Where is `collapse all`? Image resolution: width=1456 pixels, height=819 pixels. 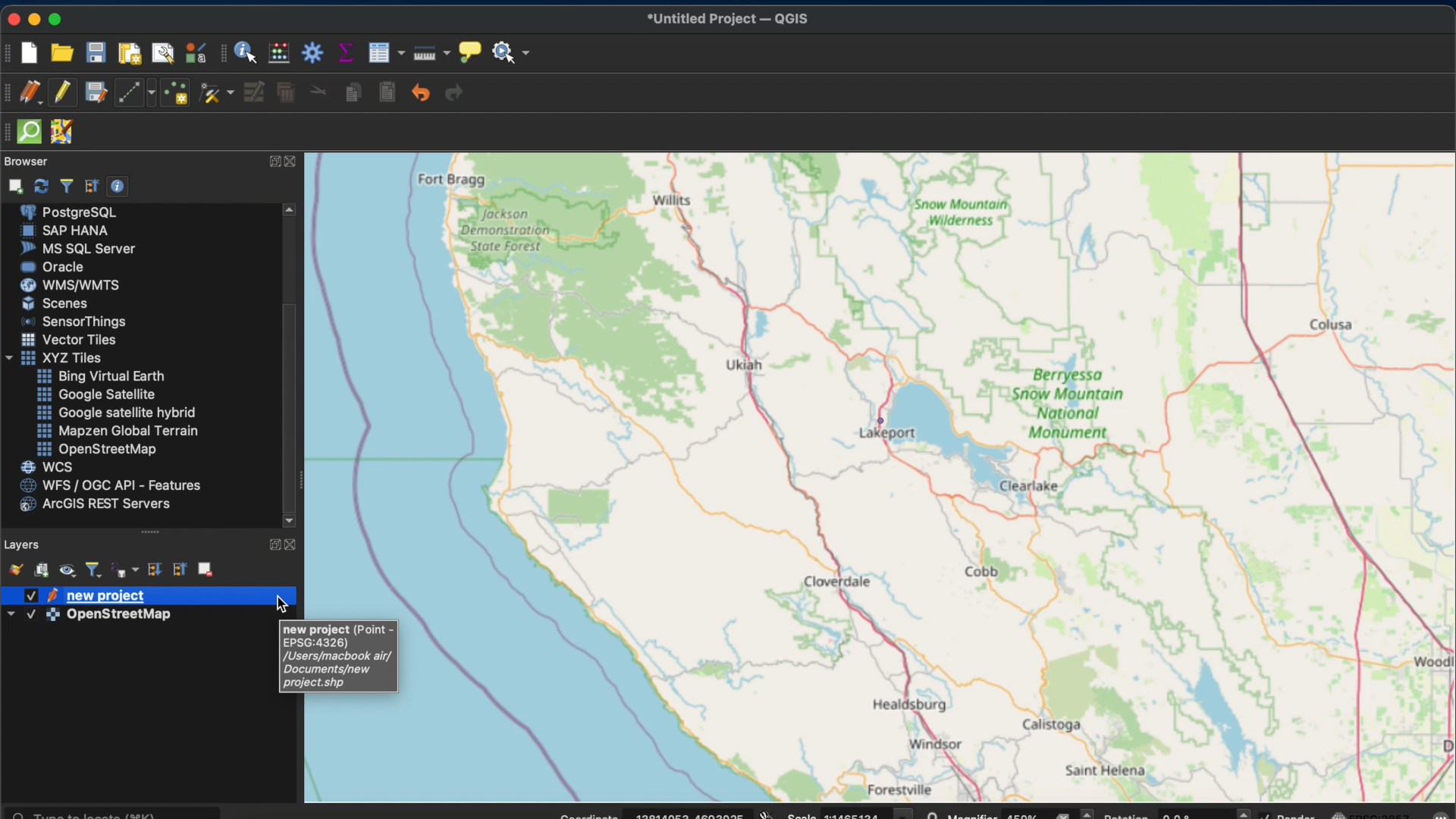 collapse all is located at coordinates (92, 186).